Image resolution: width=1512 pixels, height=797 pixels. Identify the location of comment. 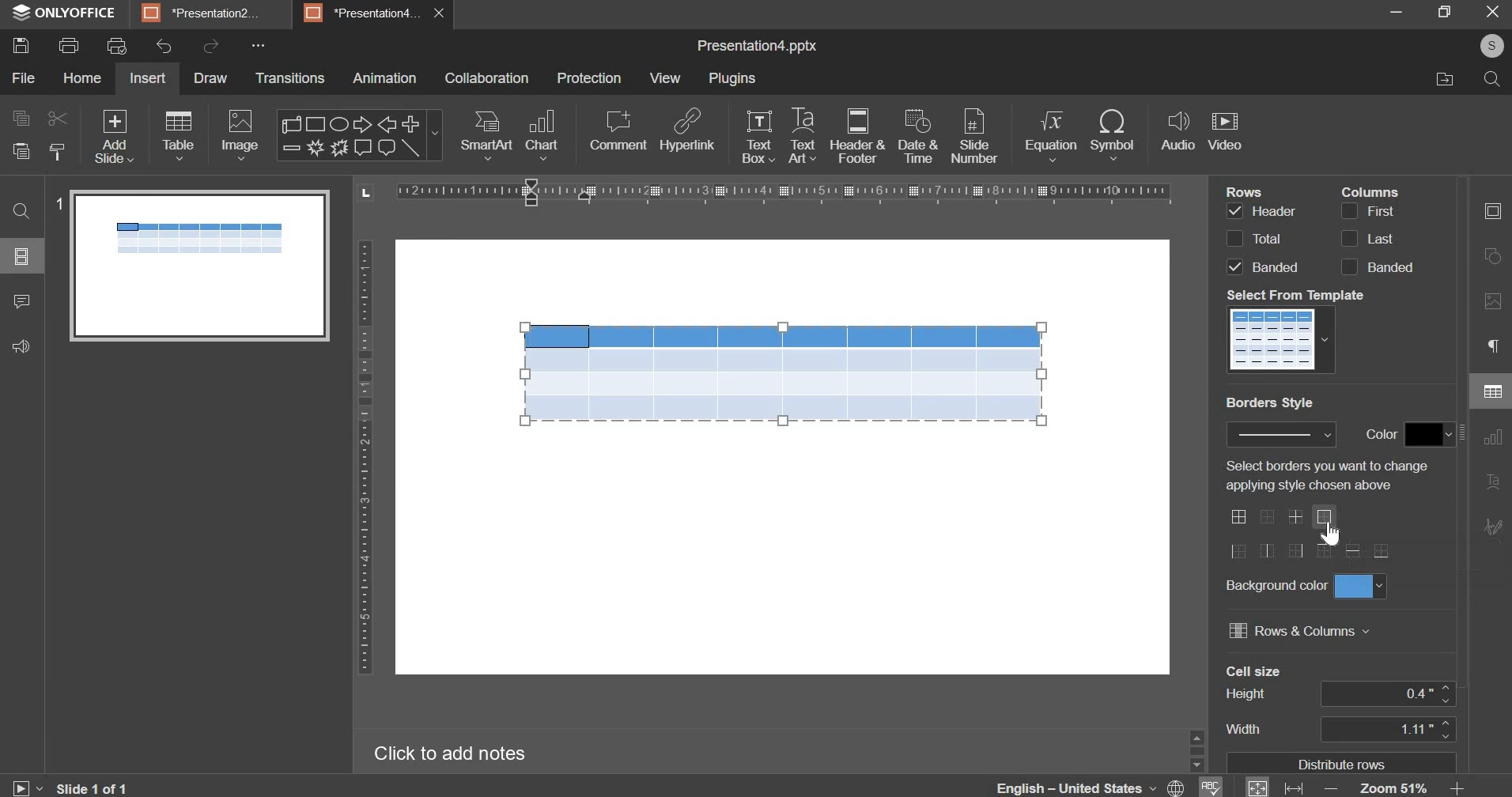
(620, 131).